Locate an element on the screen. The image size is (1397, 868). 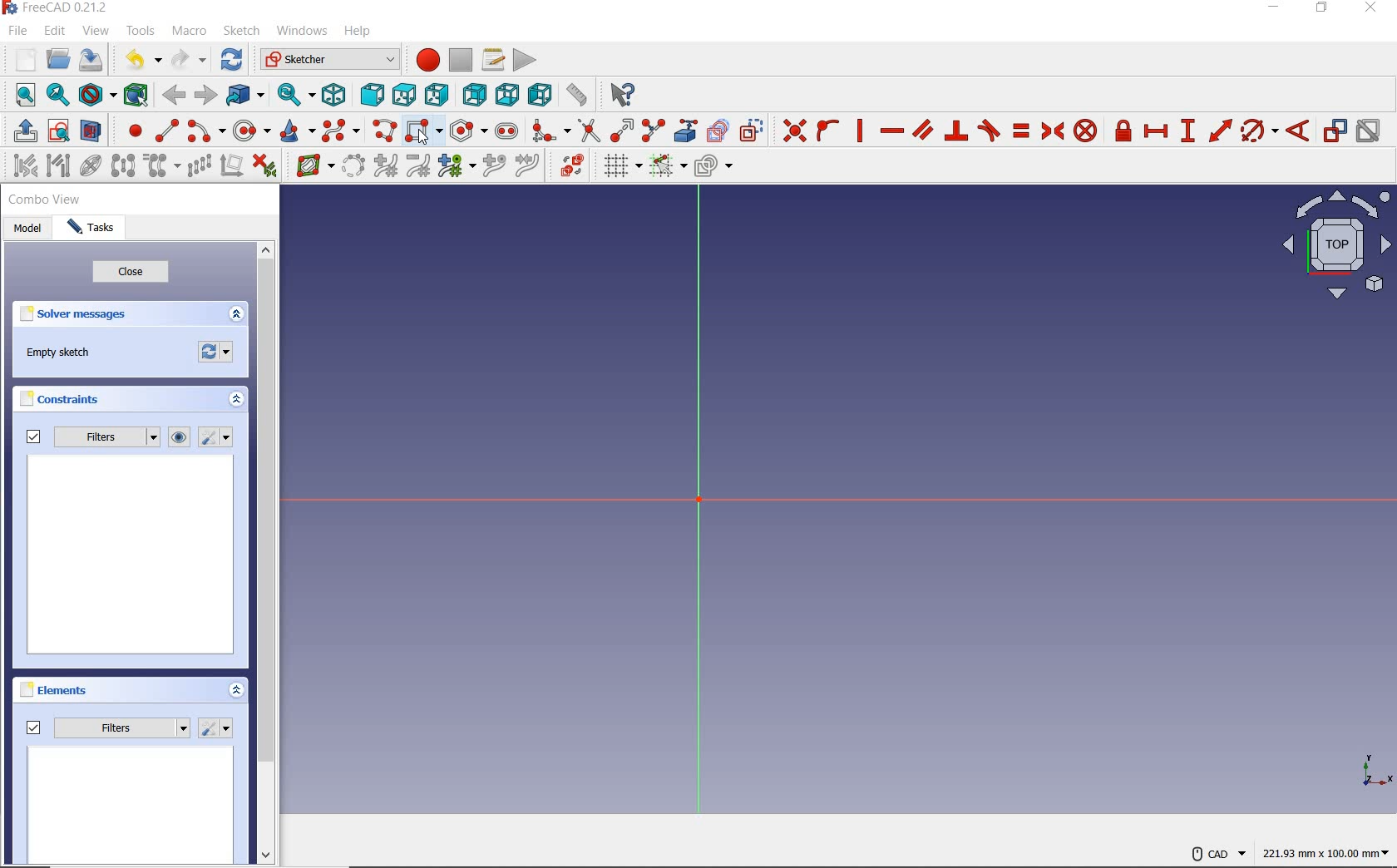
create circle is located at coordinates (251, 132).